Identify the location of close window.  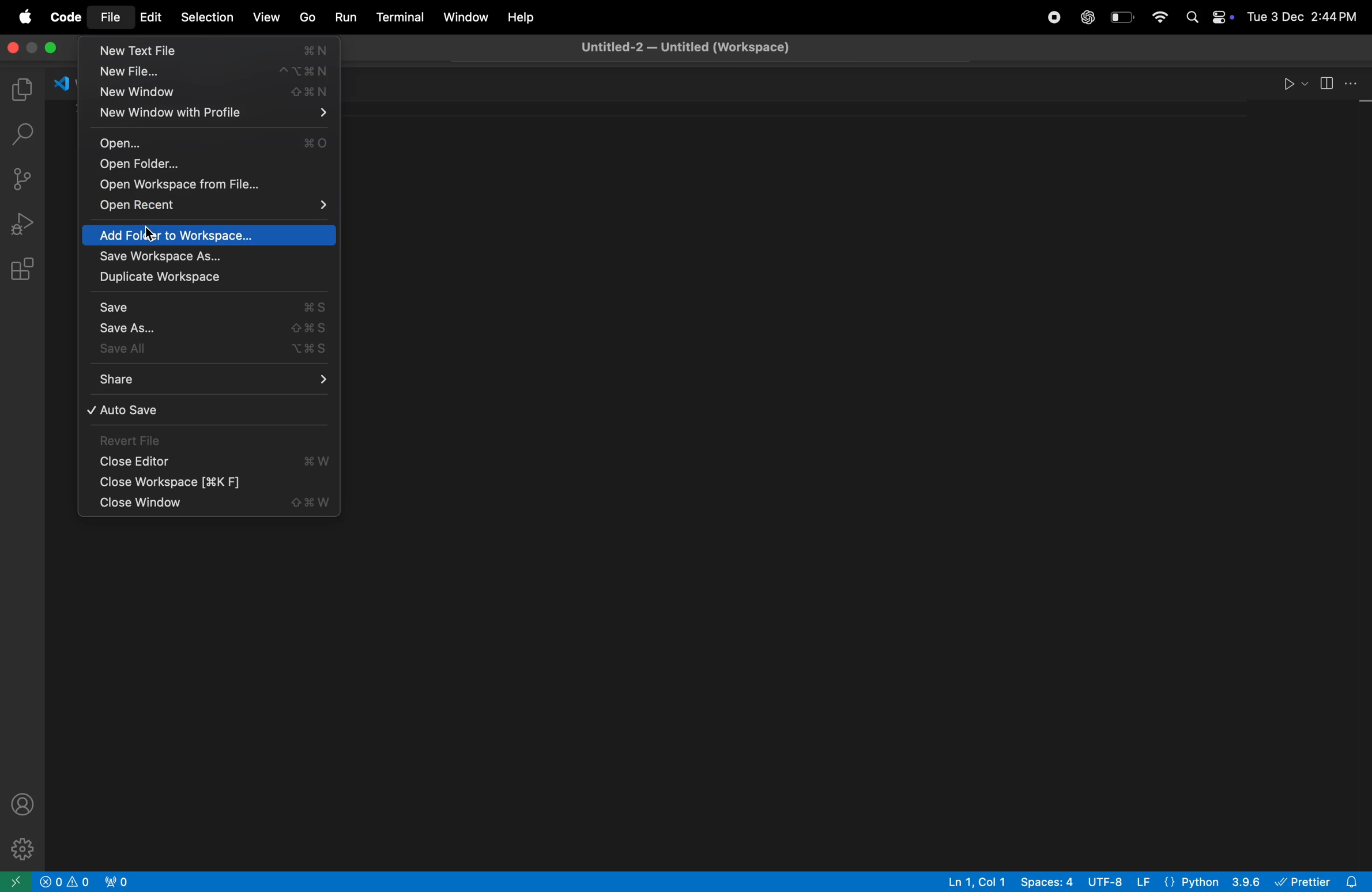
(209, 506).